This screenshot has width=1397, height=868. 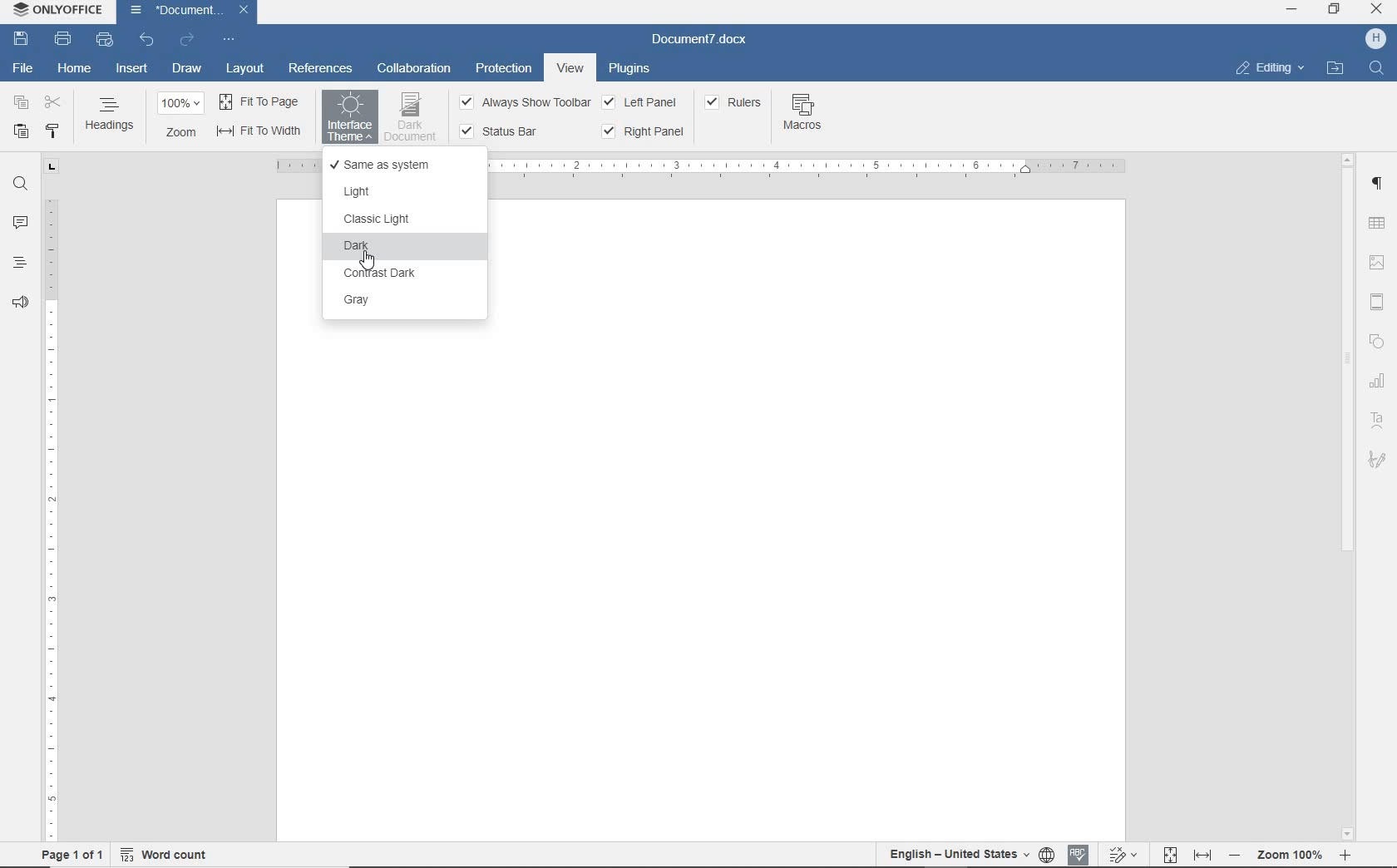 What do you see at coordinates (699, 38) in the screenshot?
I see `DOCUMENT NAME` at bounding box center [699, 38].